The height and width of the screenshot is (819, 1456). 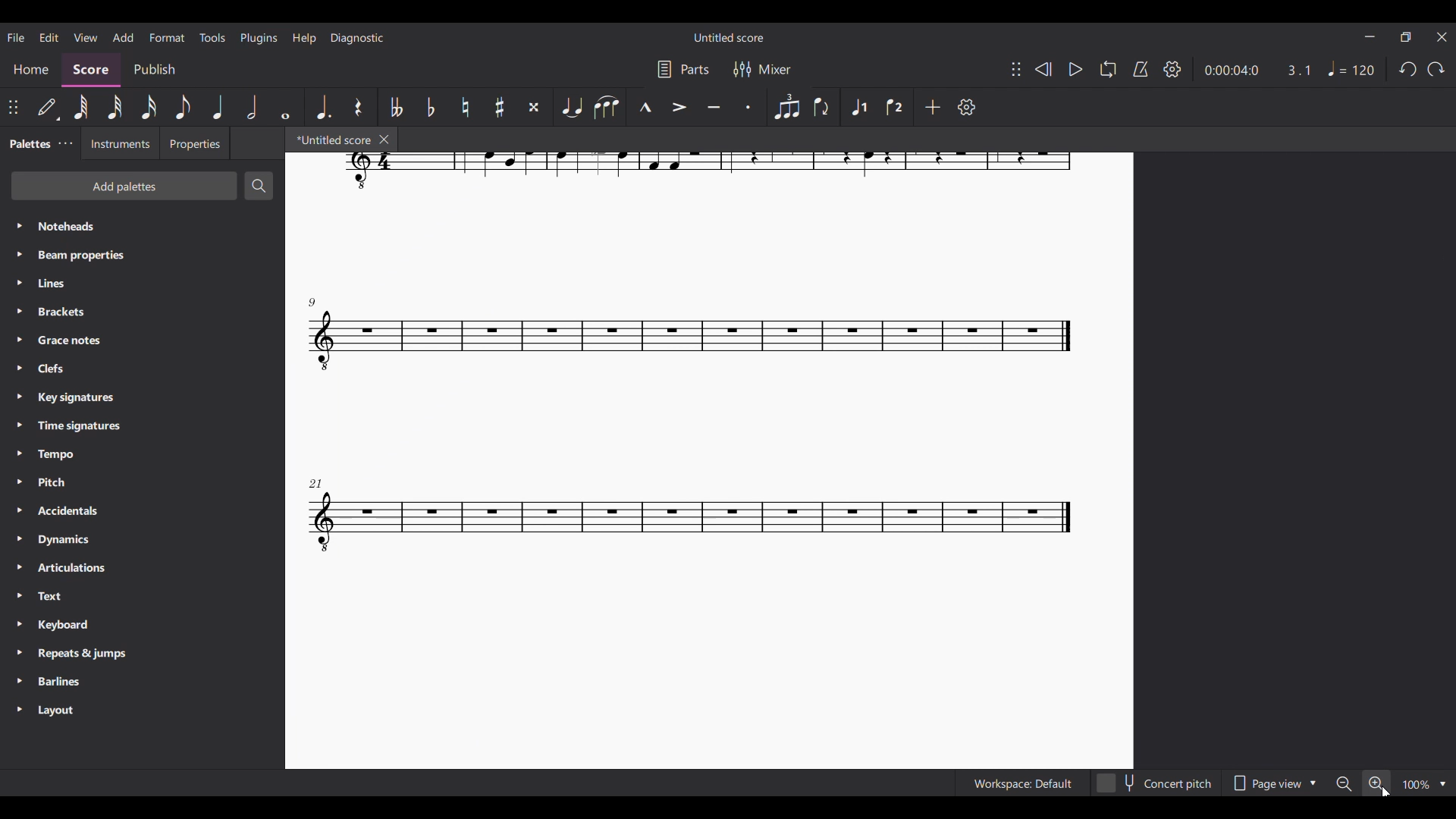 I want to click on Tuplet, so click(x=786, y=106).